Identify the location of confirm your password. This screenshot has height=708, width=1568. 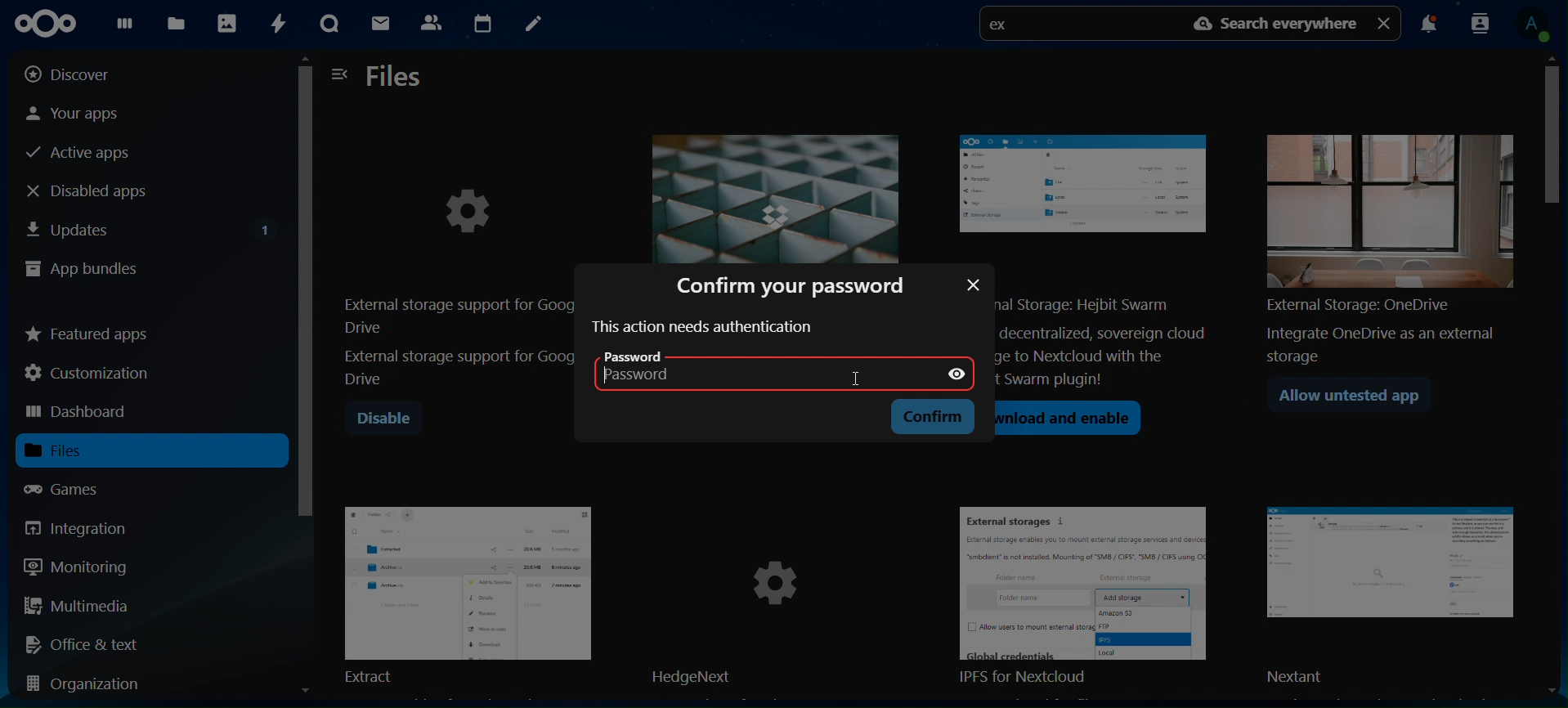
(797, 284).